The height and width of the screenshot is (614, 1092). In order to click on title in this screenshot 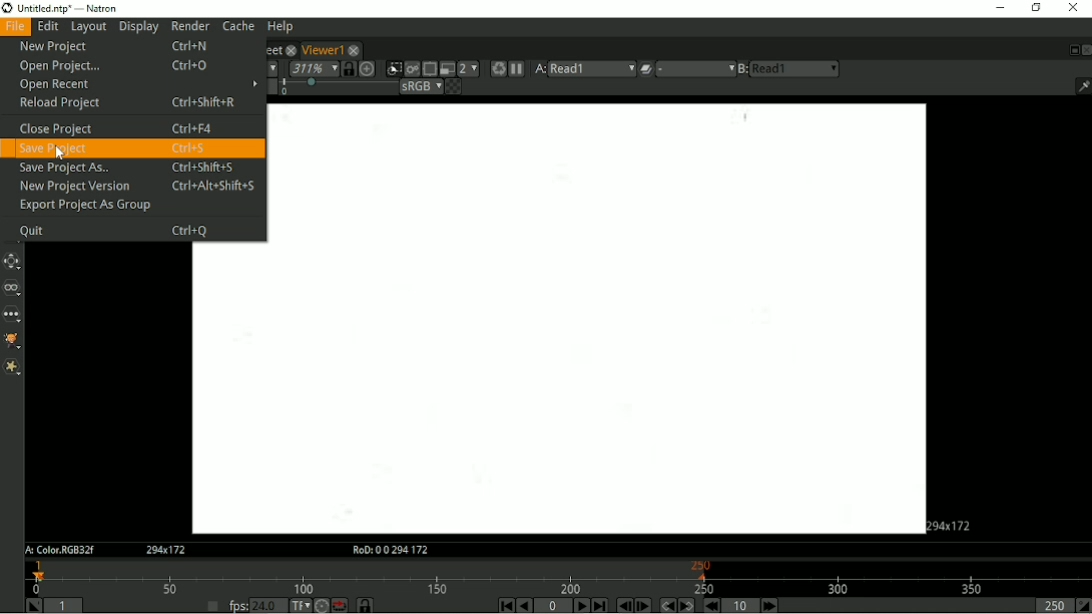, I will do `click(68, 8)`.